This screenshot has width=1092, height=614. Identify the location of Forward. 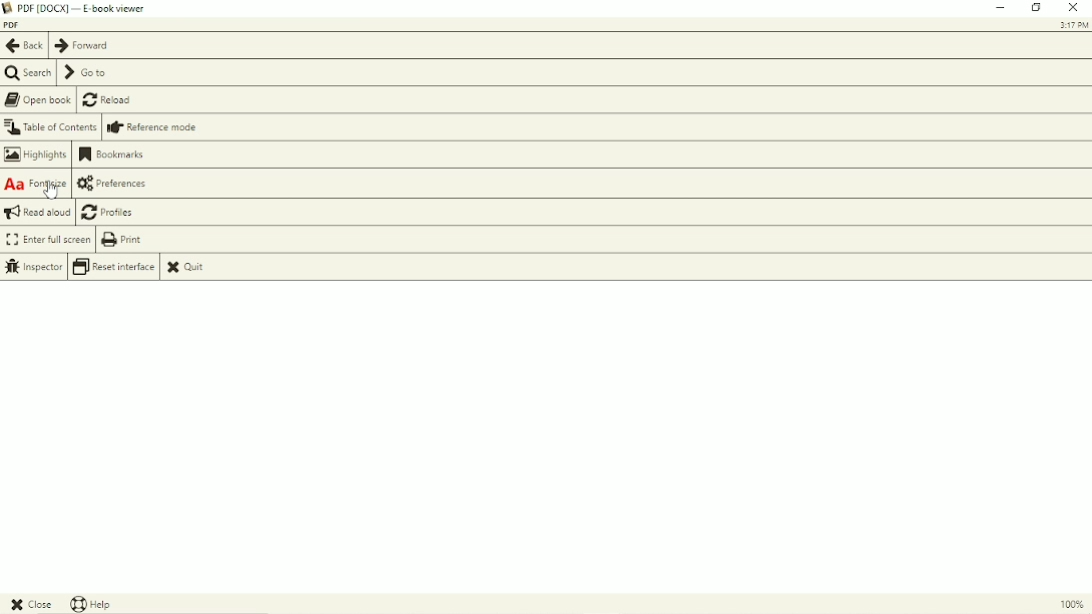
(80, 46).